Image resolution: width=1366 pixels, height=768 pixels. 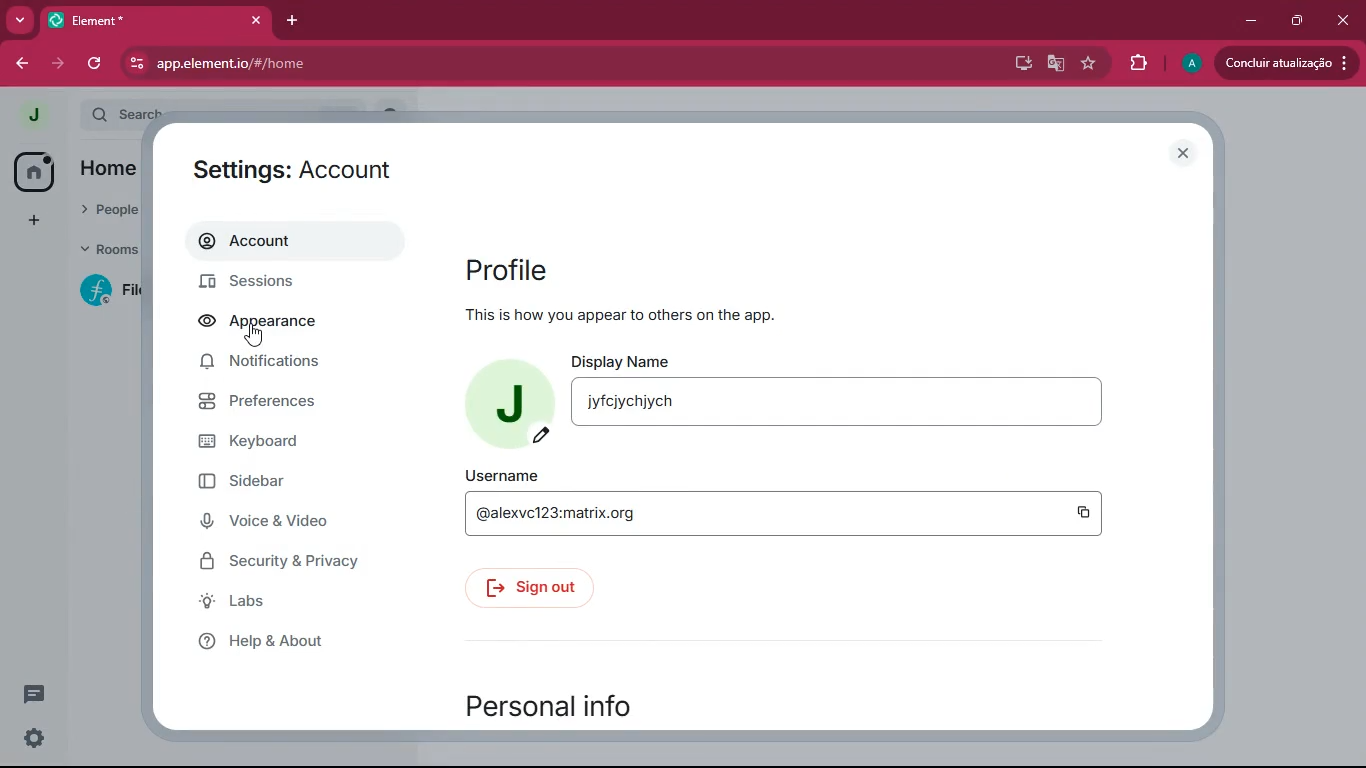 What do you see at coordinates (507, 474) in the screenshot?
I see `Username` at bounding box center [507, 474].